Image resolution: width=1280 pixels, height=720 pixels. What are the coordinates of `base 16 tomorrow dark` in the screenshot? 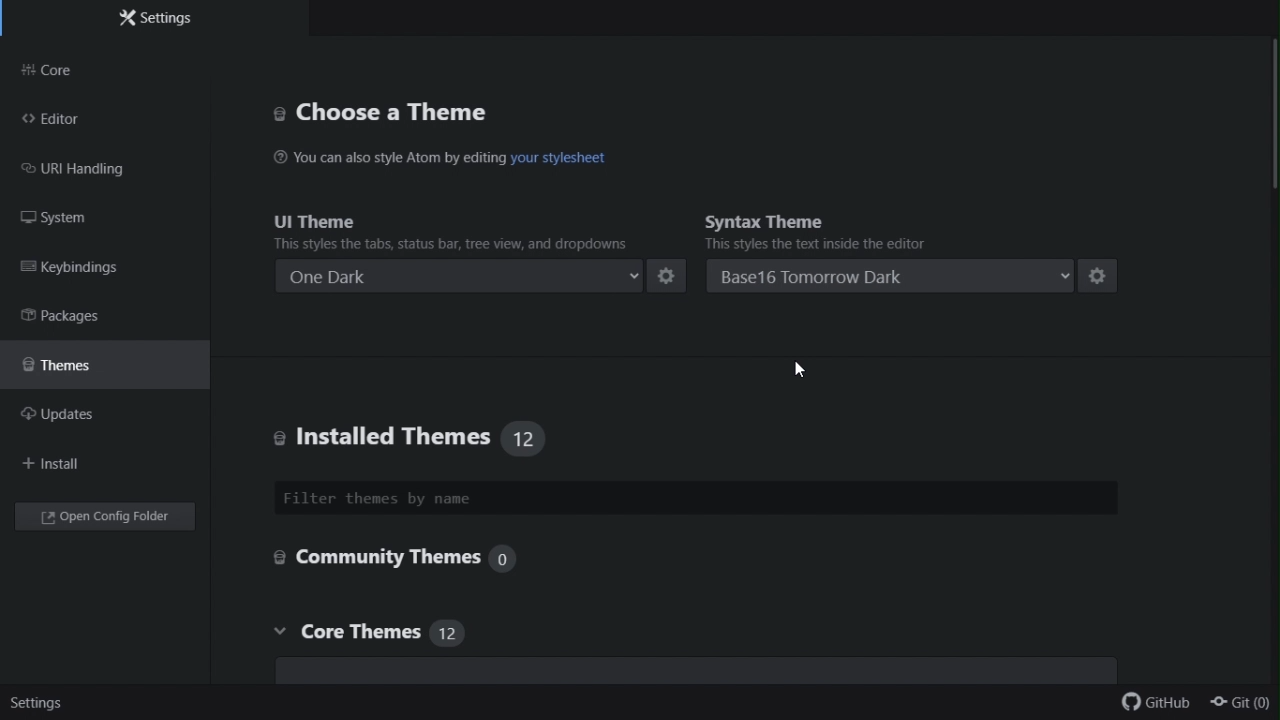 It's located at (891, 277).